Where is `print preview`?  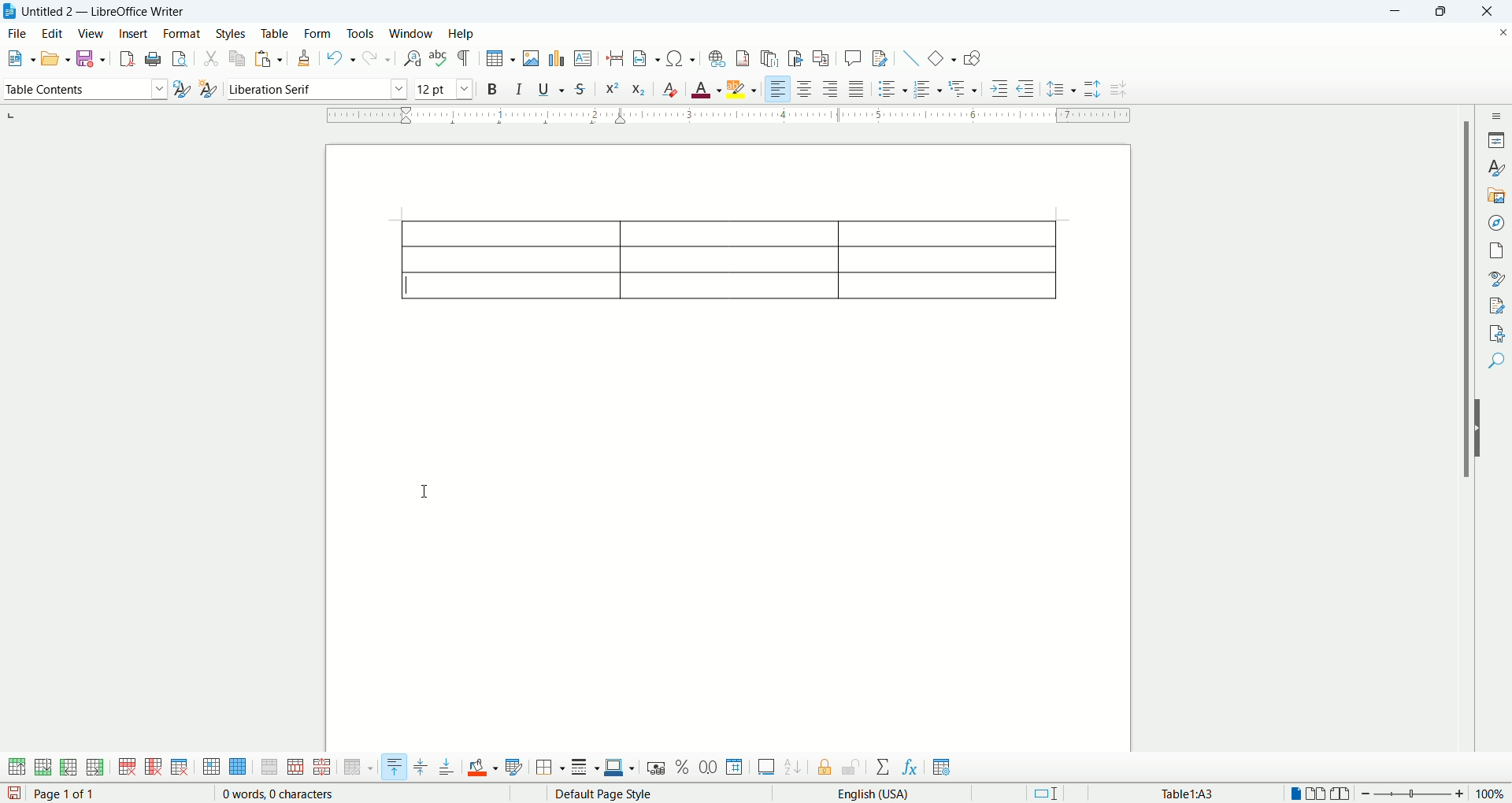 print preview is located at coordinates (179, 60).